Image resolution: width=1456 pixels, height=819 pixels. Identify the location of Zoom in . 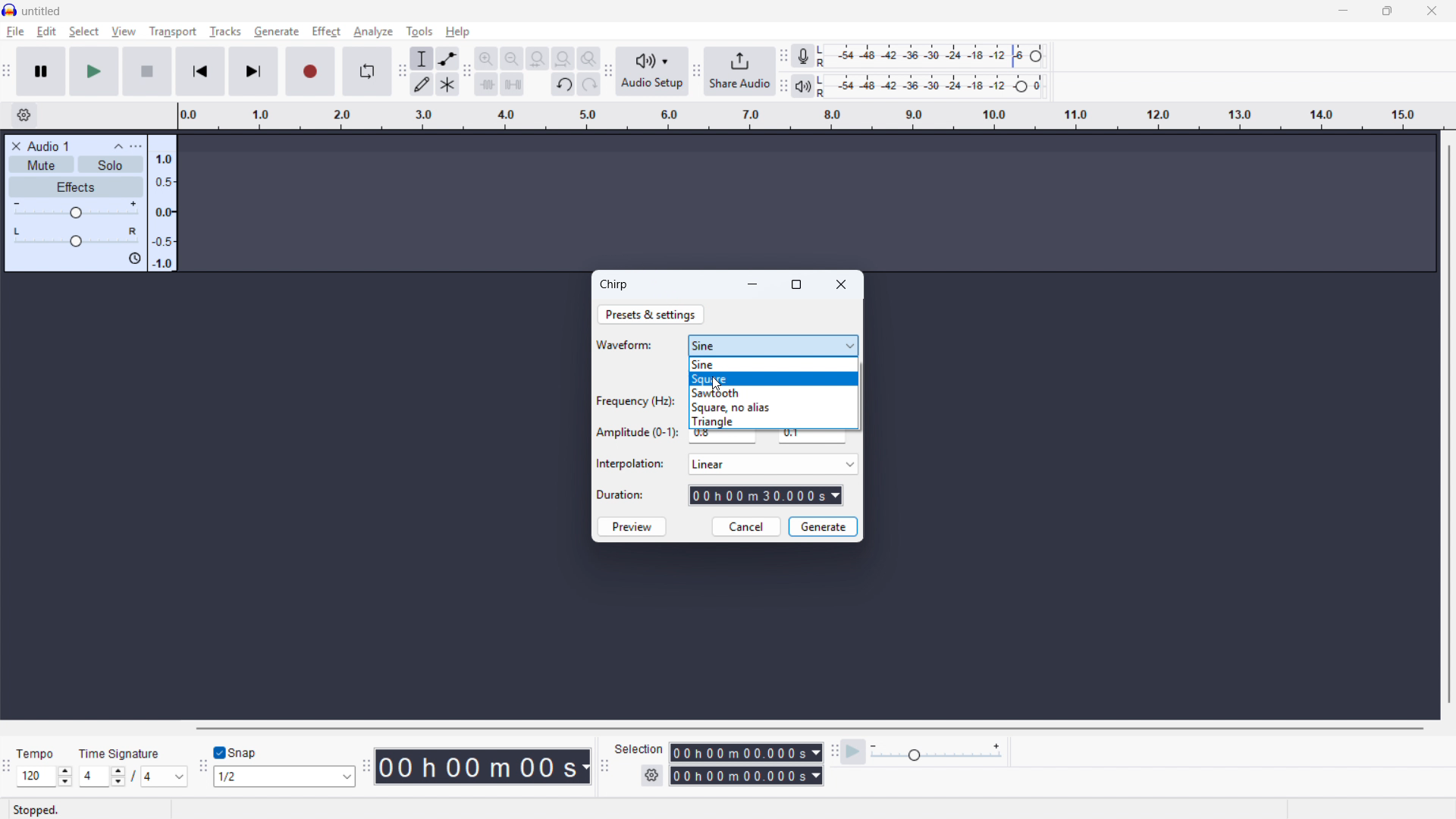
(486, 58).